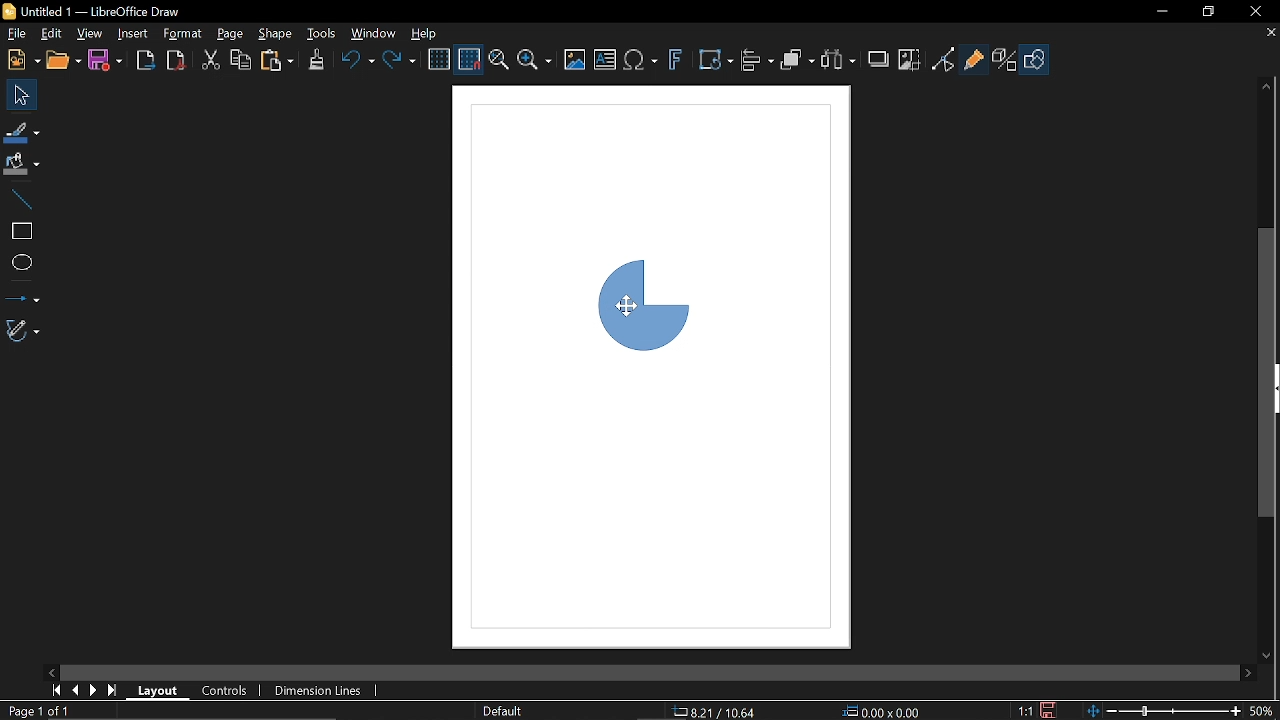 This screenshot has width=1280, height=720. I want to click on rectangle, so click(18, 232).